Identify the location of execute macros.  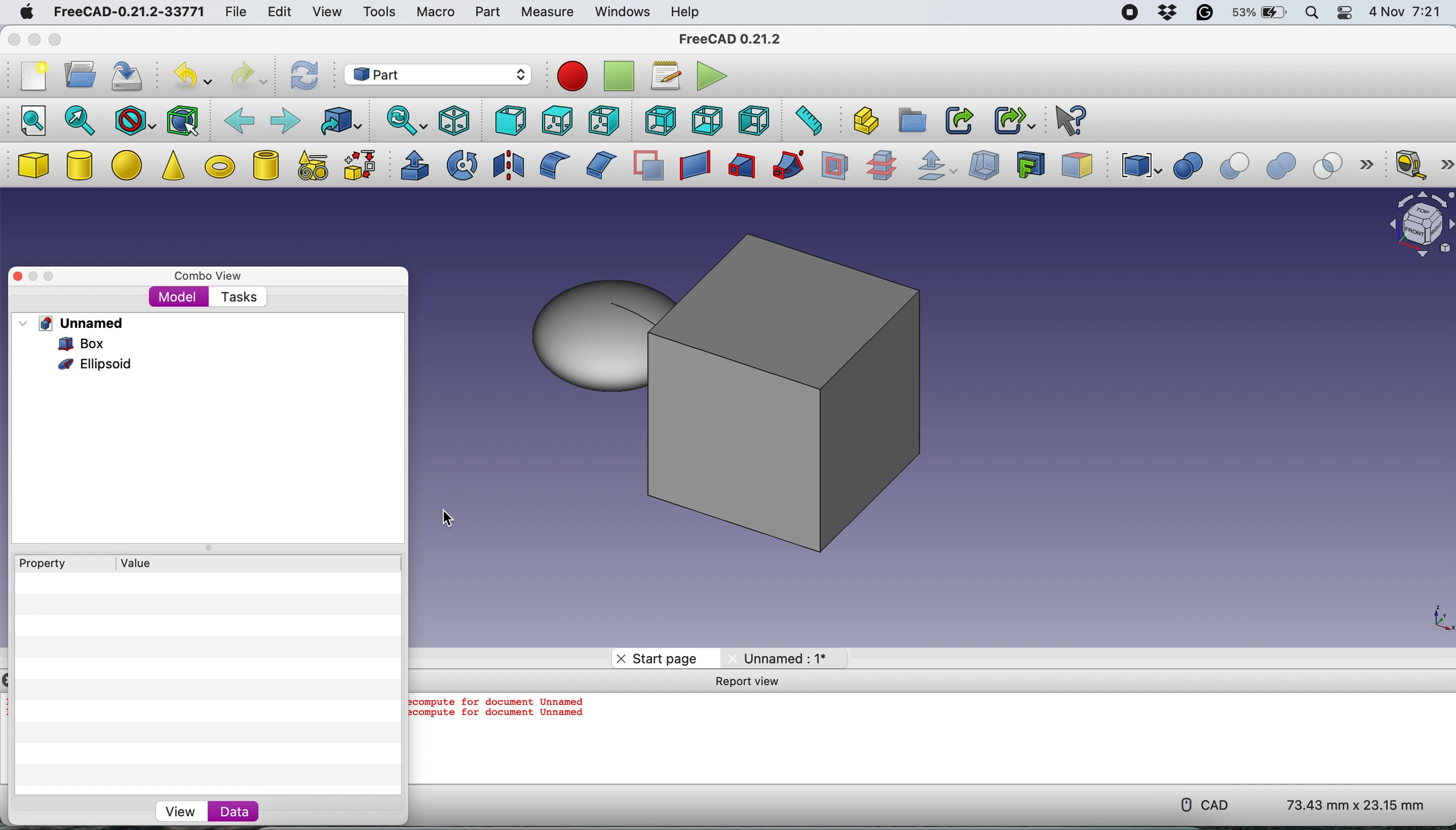
(710, 78).